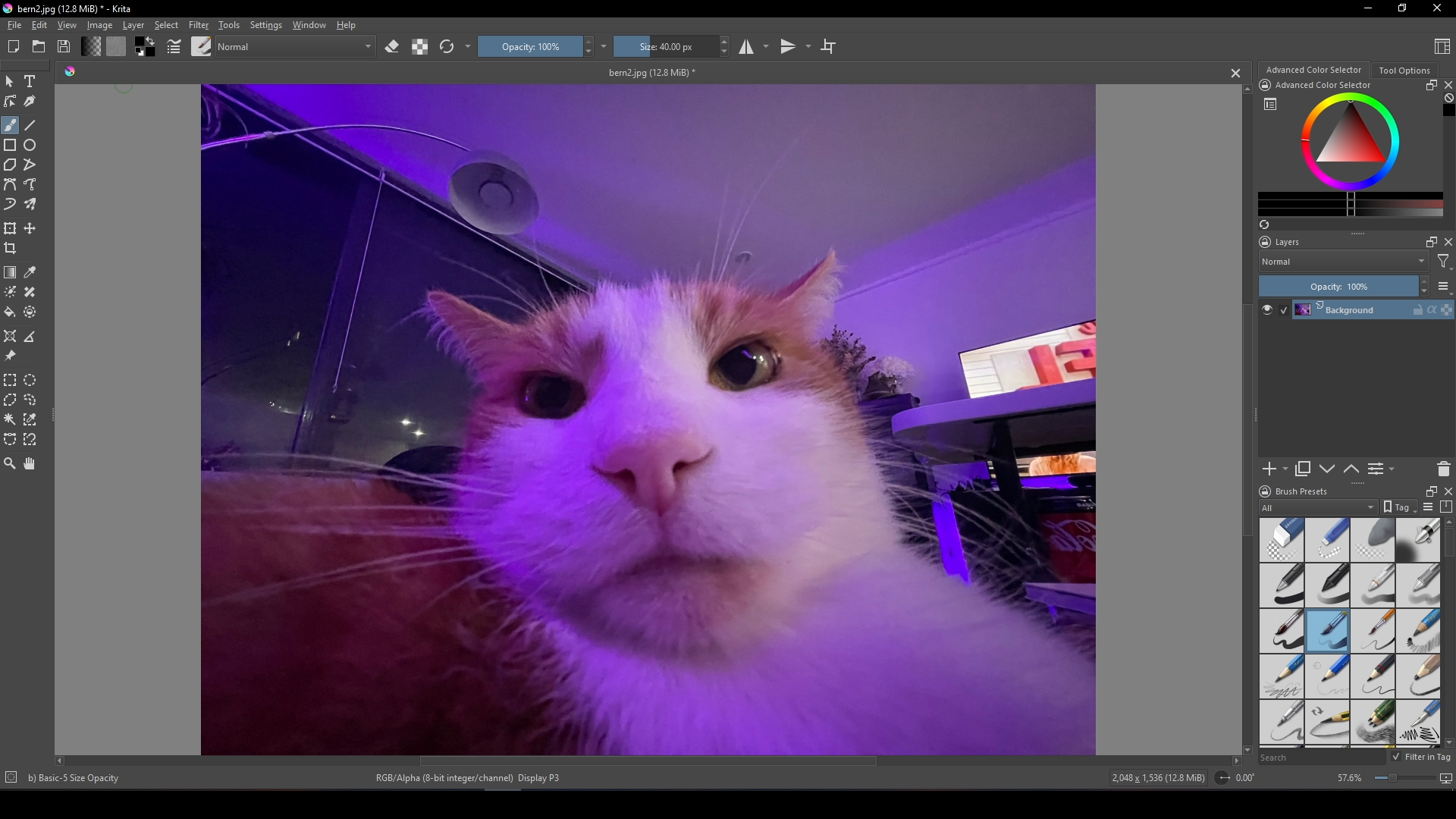 The image size is (1456, 819). What do you see at coordinates (1429, 491) in the screenshot?
I see `Expand brush docker` at bounding box center [1429, 491].